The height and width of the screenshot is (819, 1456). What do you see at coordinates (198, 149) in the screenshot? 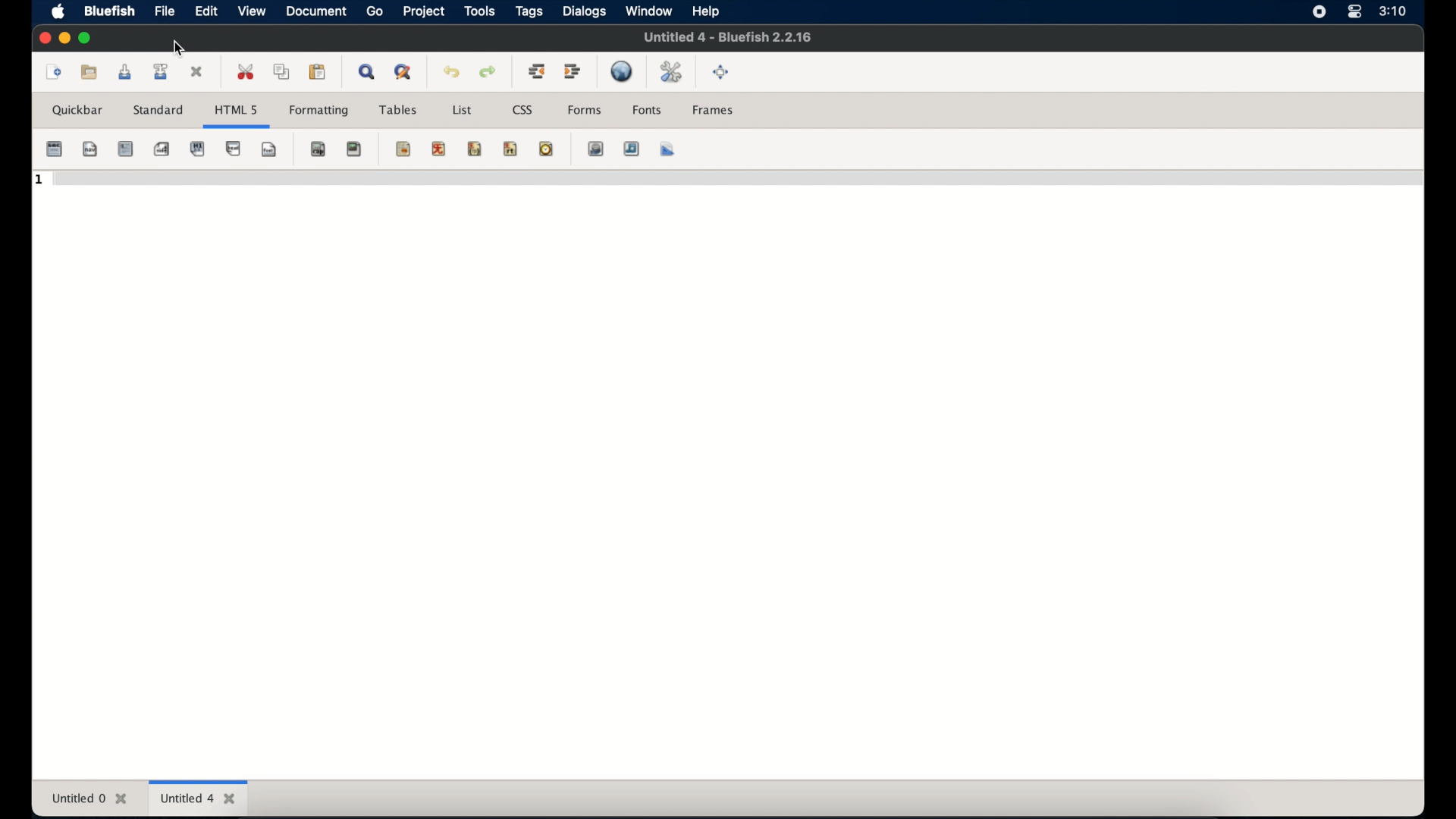
I see `paragraph` at bounding box center [198, 149].